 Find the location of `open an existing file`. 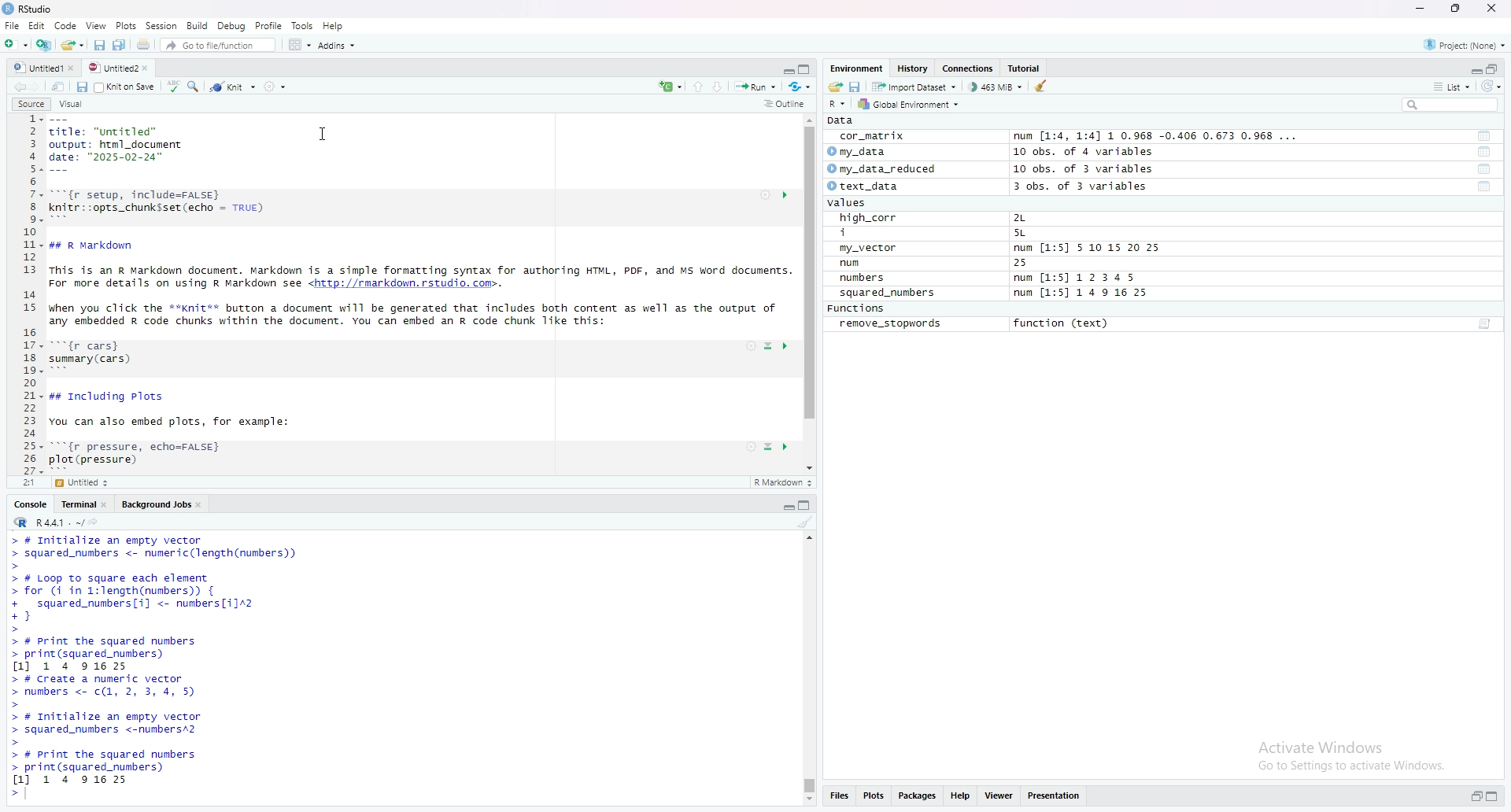

open an existing file is located at coordinates (71, 45).